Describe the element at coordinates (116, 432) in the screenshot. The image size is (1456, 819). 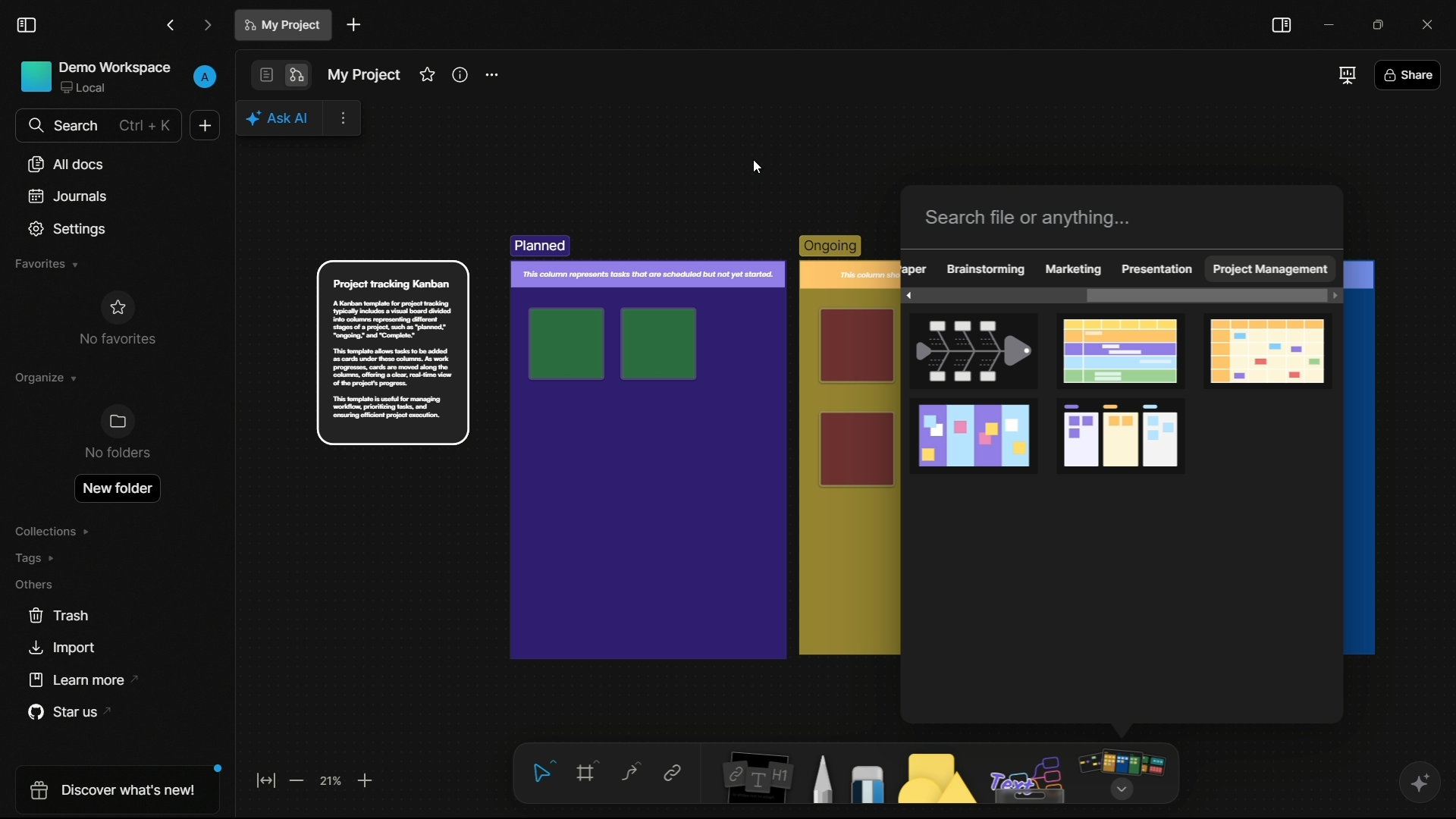
I see `no folders` at that location.